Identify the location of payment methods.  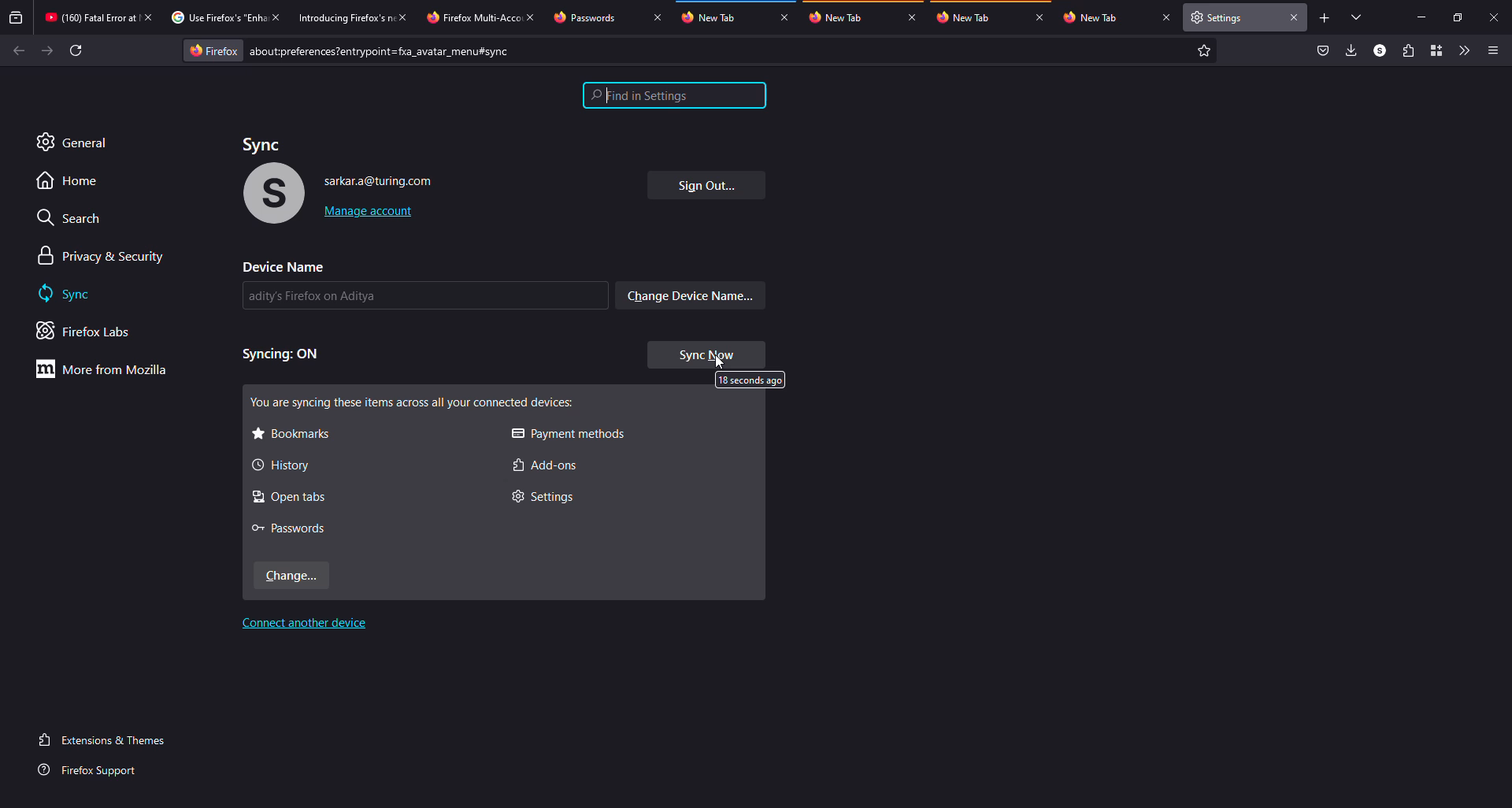
(569, 435).